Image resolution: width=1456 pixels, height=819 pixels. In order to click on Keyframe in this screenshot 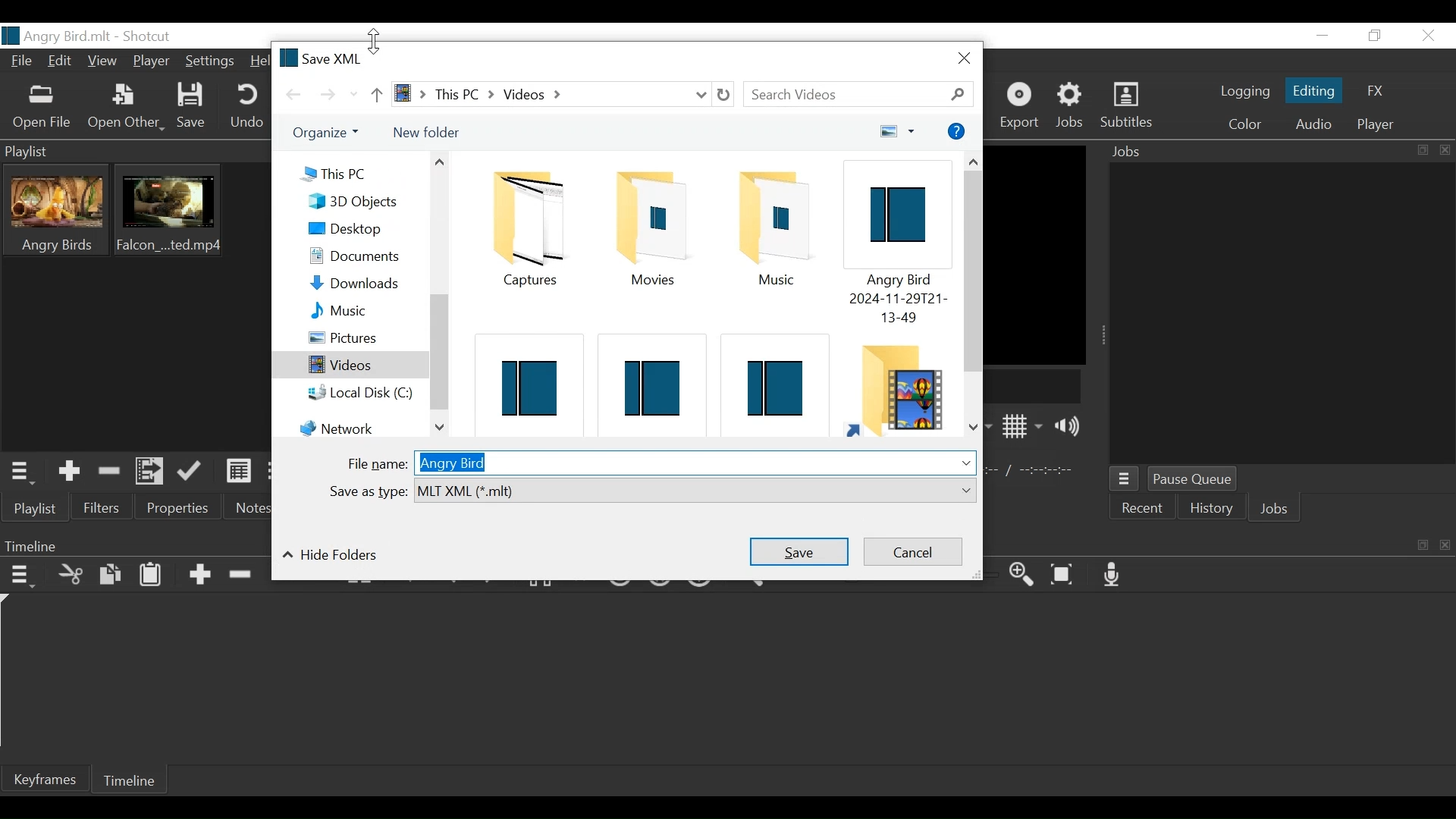, I will do `click(52, 781)`.